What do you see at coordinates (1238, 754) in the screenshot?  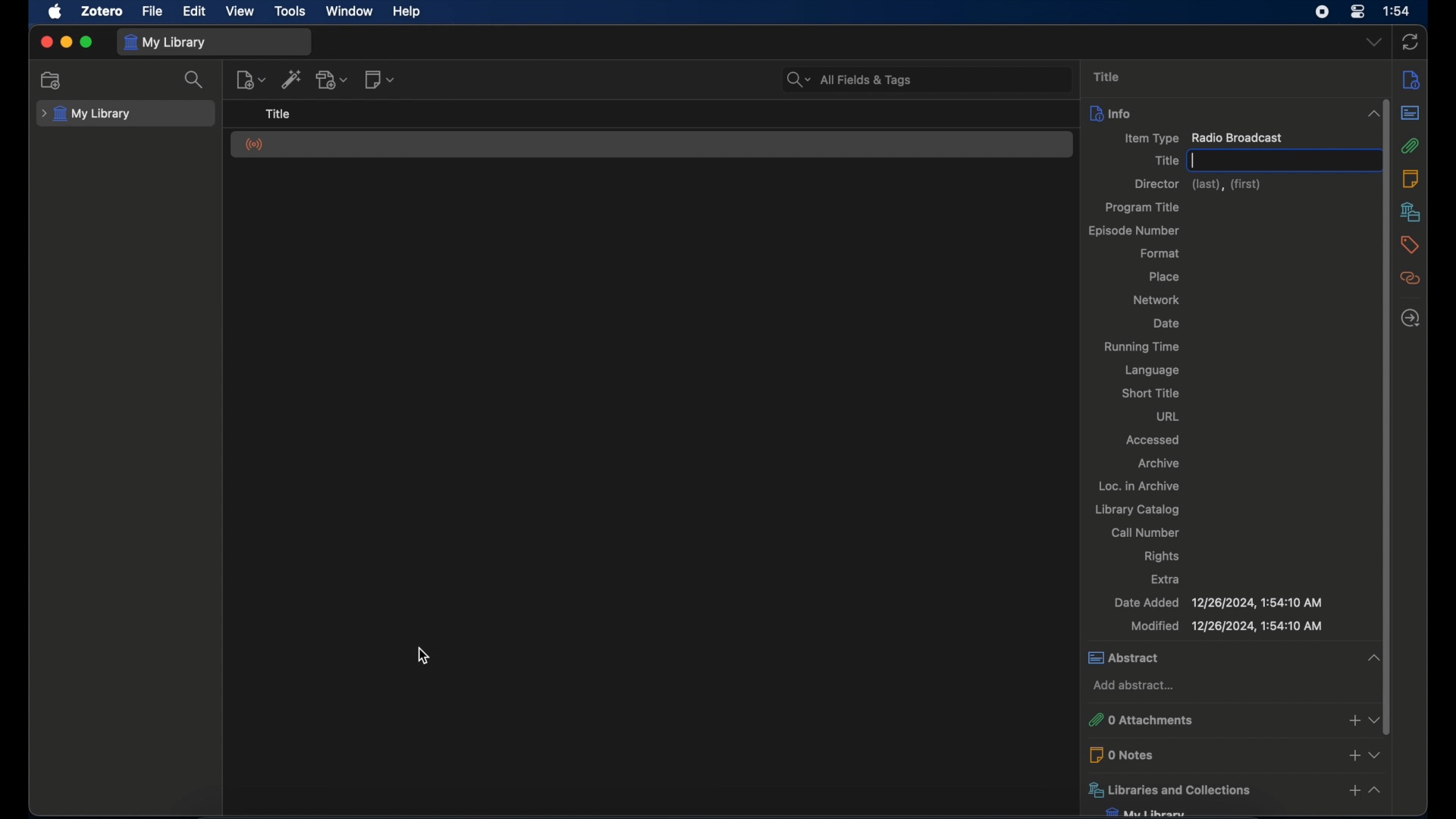 I see `0 notes` at bounding box center [1238, 754].